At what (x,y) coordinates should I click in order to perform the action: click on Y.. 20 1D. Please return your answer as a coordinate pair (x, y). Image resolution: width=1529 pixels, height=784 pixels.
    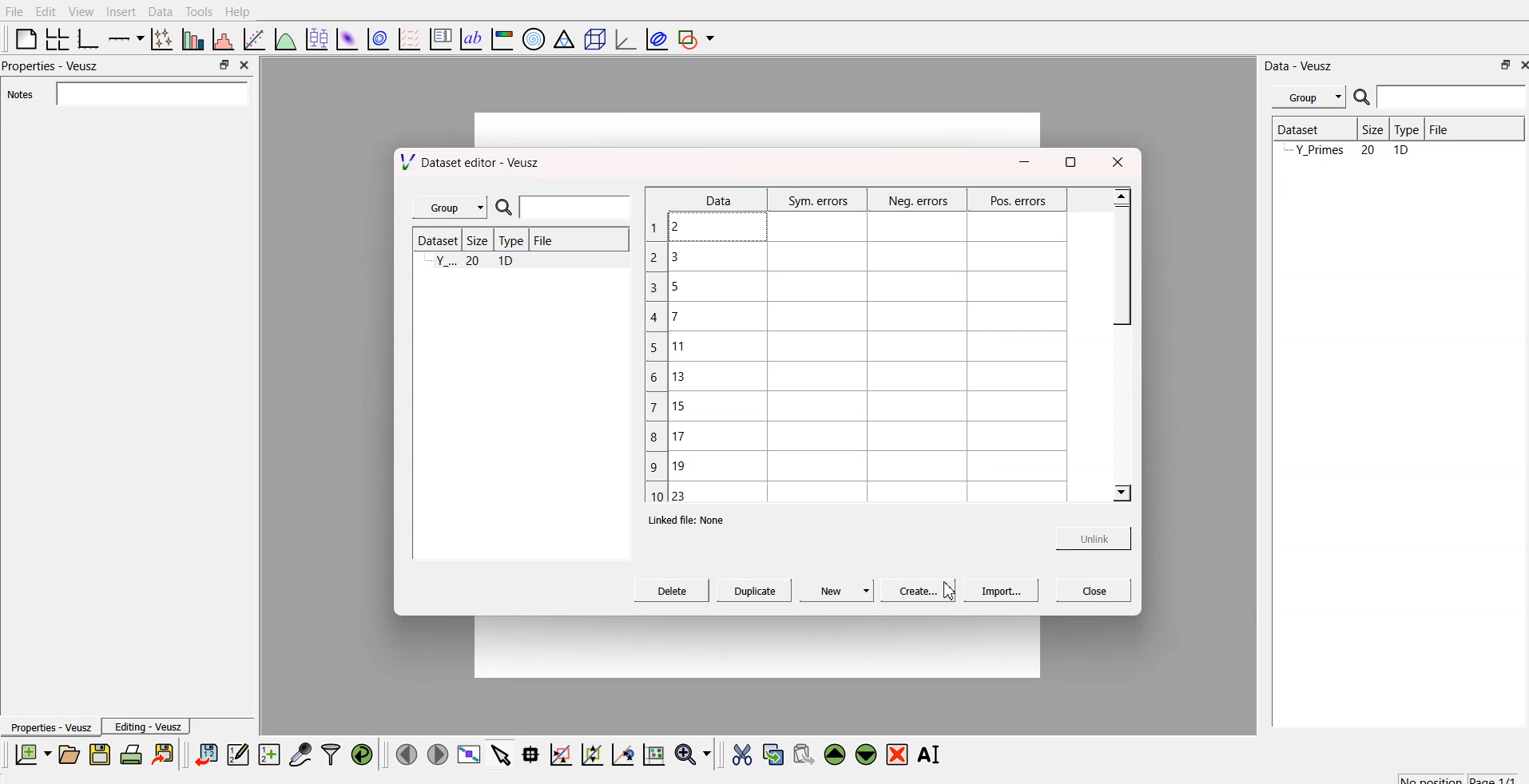
    Looking at the image, I should click on (477, 263).